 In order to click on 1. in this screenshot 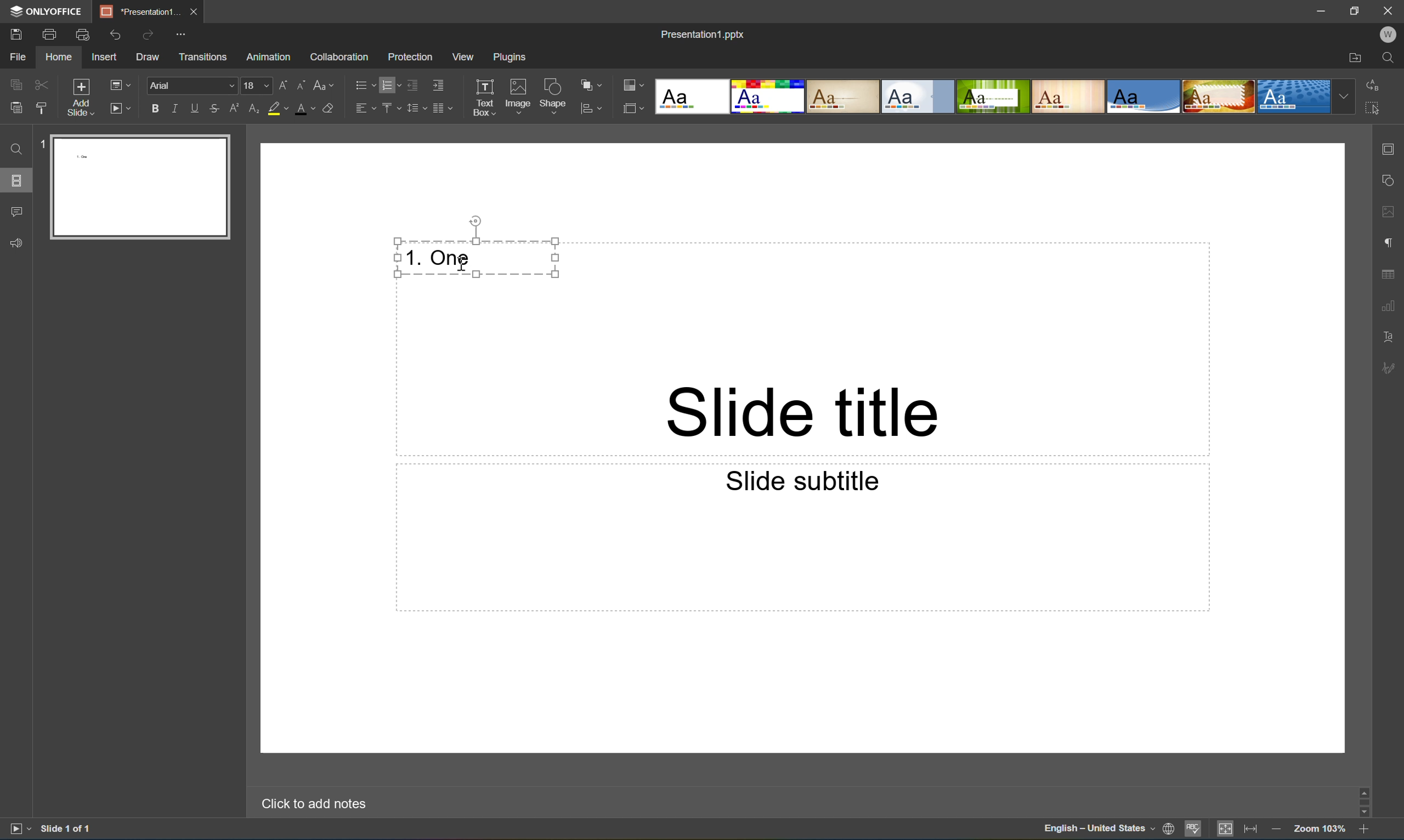, I will do `click(413, 256)`.